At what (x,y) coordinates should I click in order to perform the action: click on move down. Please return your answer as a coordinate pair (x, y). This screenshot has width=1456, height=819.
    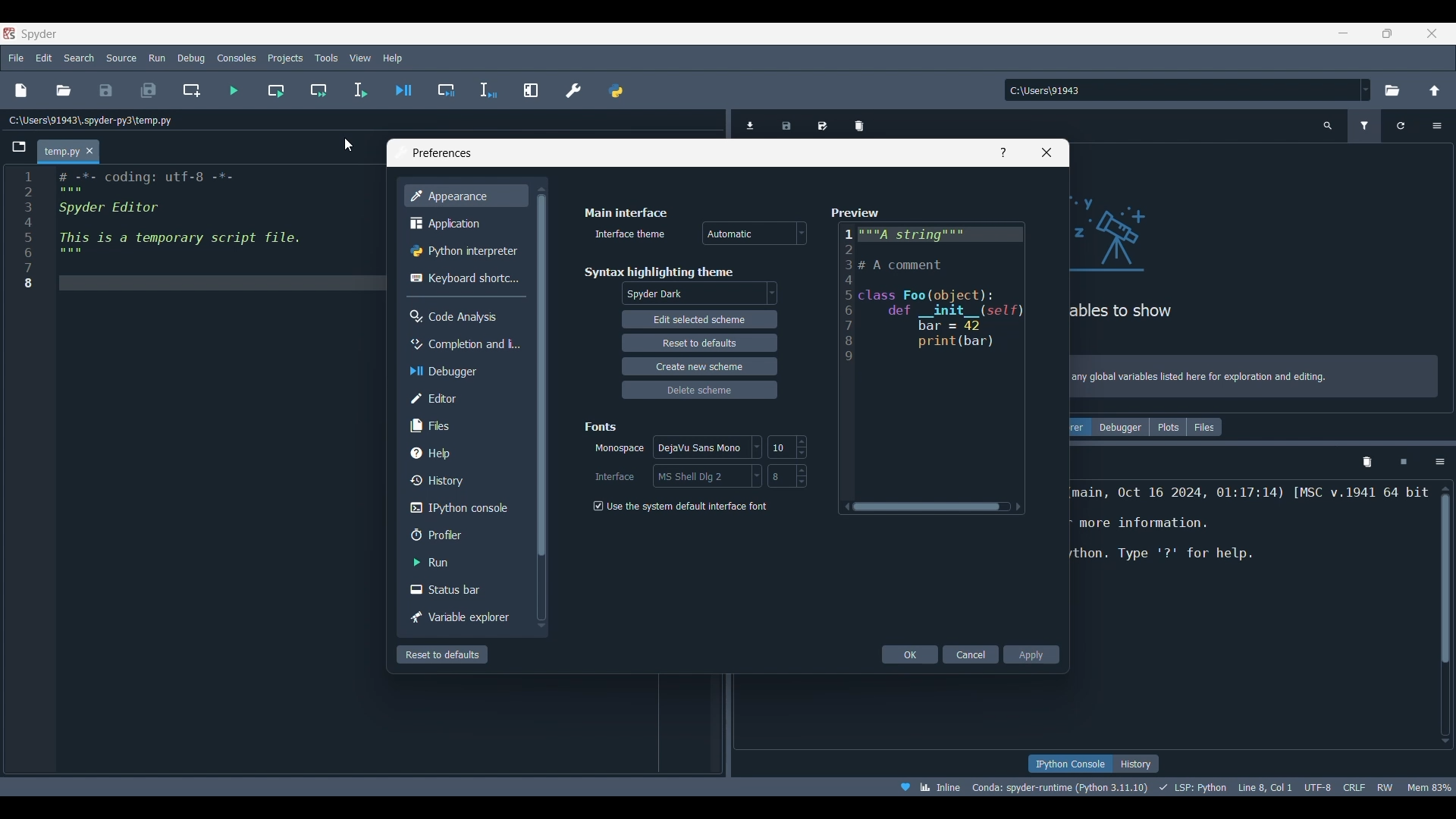
    Looking at the image, I should click on (541, 623).